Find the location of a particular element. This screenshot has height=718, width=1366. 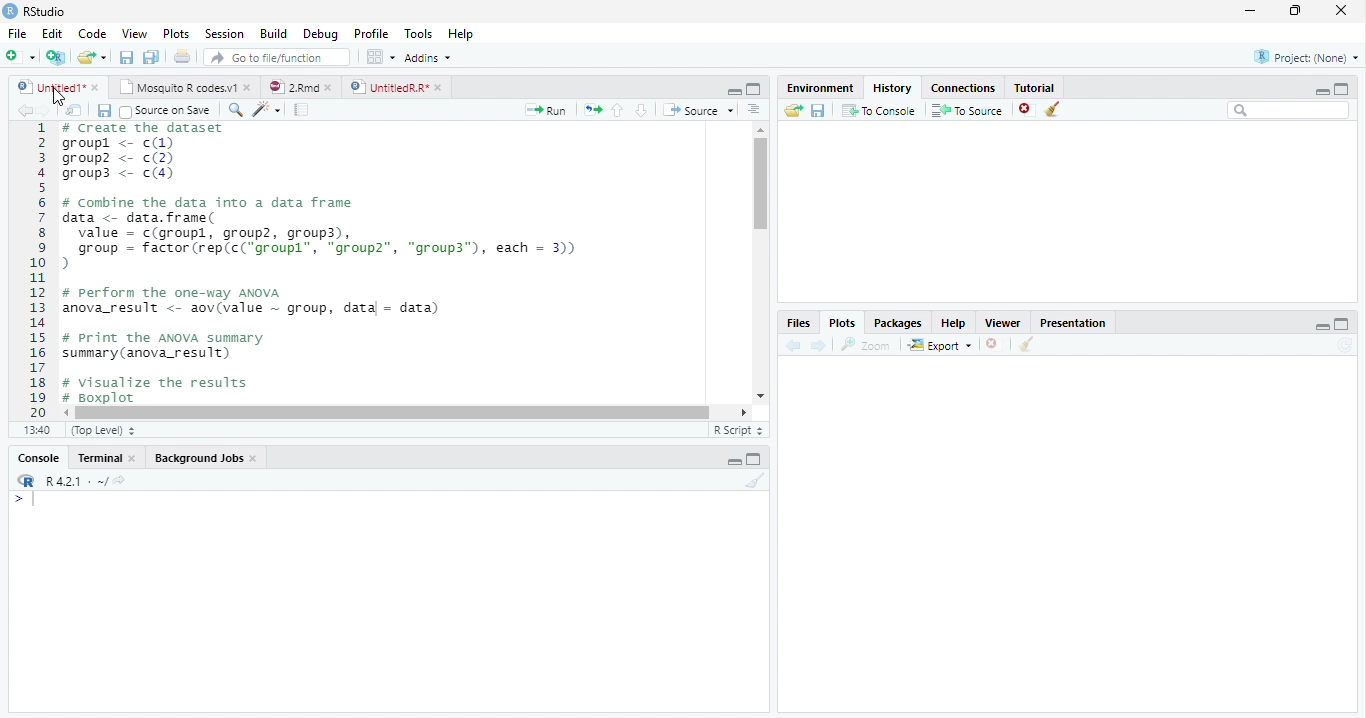

Addins is located at coordinates (429, 59).